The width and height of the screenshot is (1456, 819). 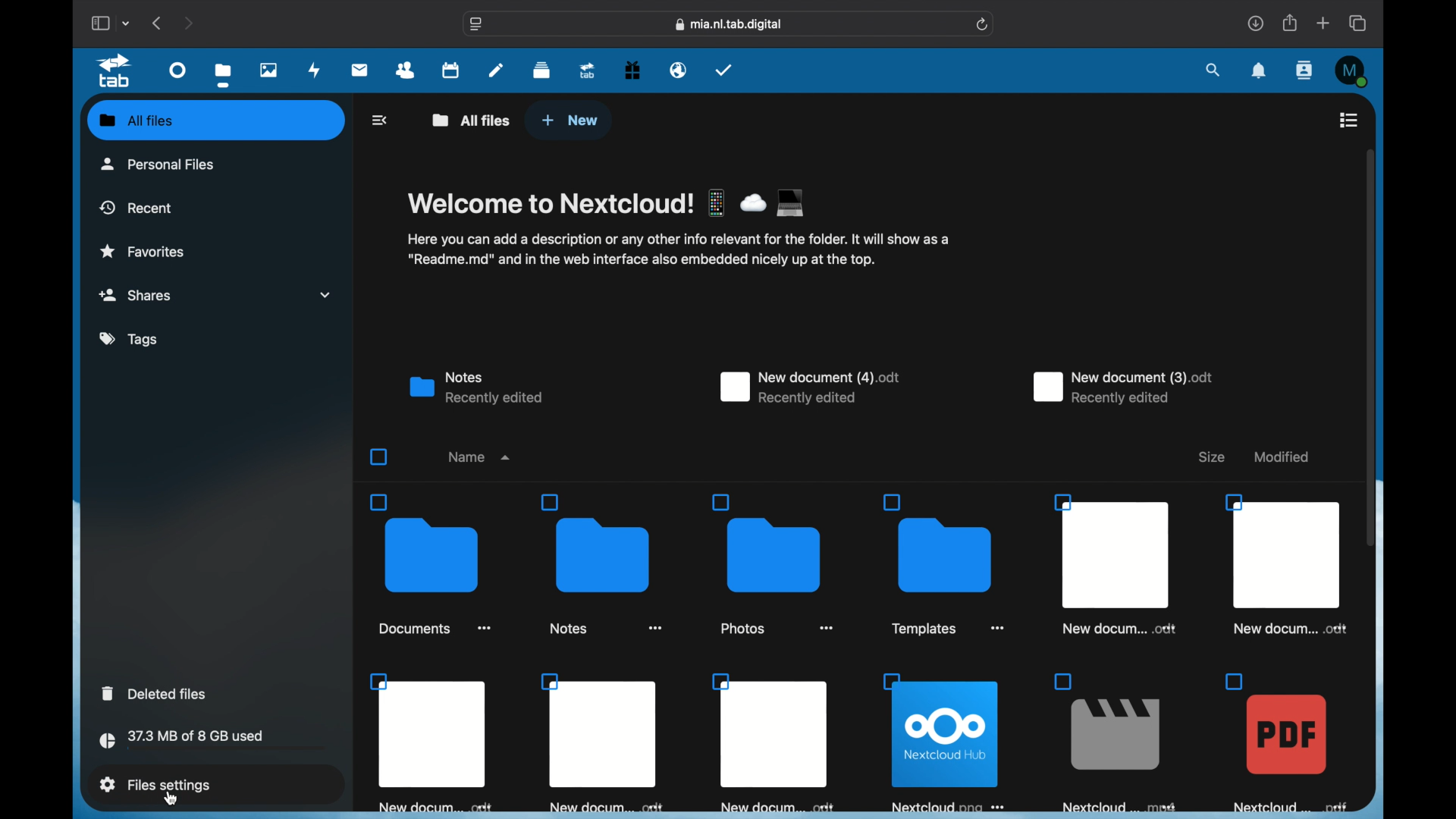 I want to click on show sidebar, so click(x=99, y=24).